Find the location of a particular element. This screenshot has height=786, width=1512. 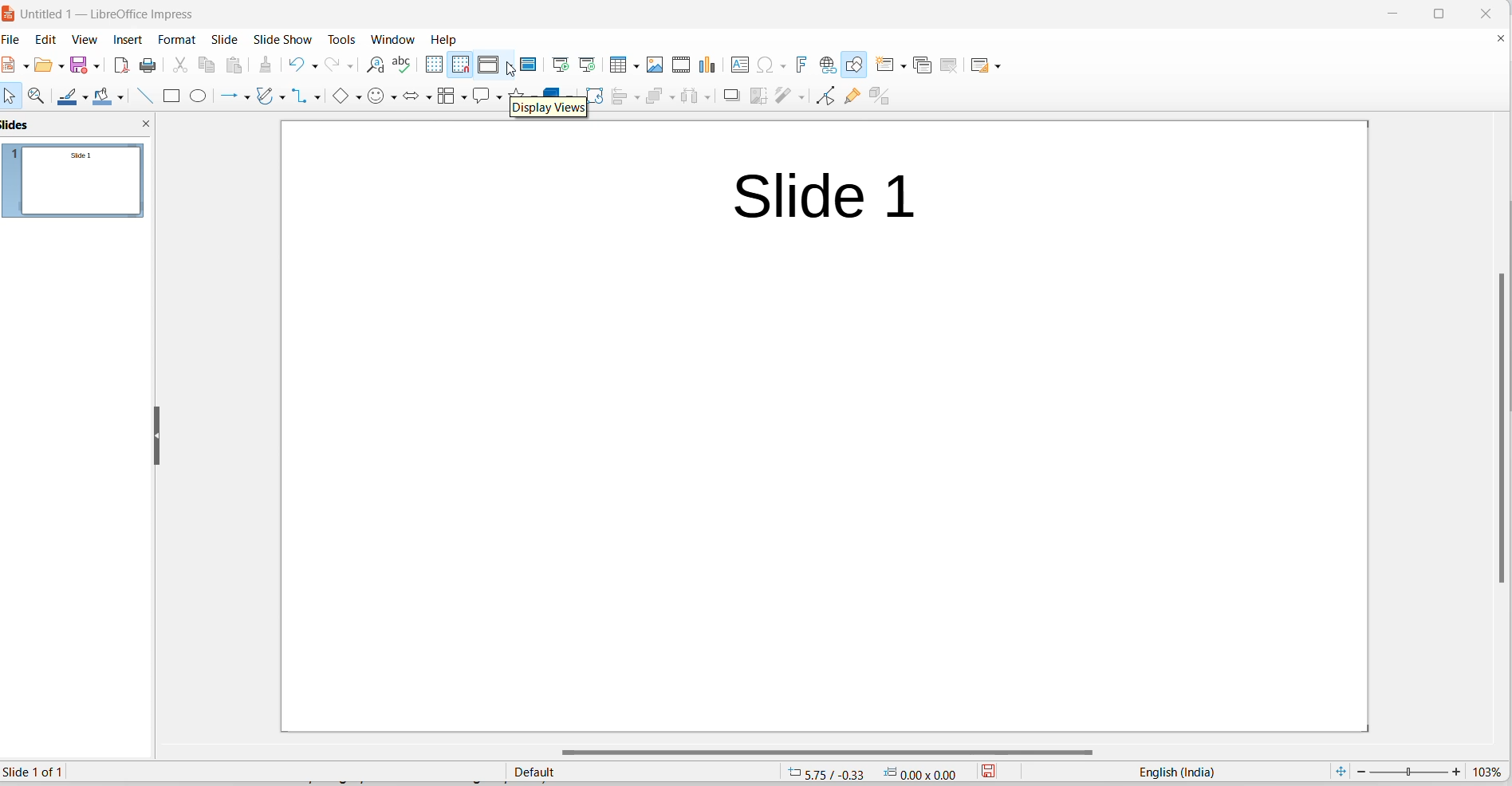

line color options is located at coordinates (88, 96).